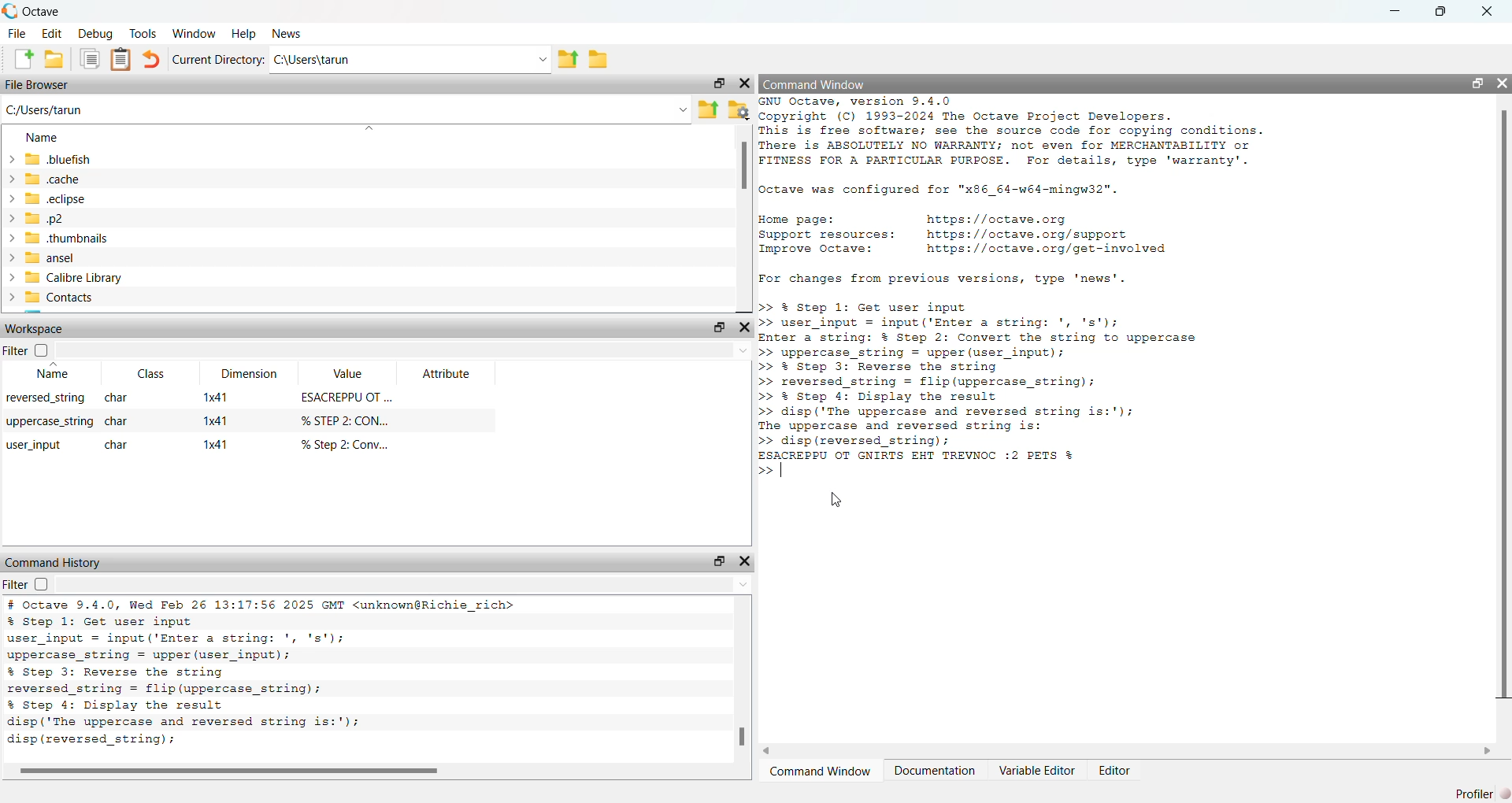 This screenshot has height=803, width=1512. I want to click on file browser, so click(42, 86).